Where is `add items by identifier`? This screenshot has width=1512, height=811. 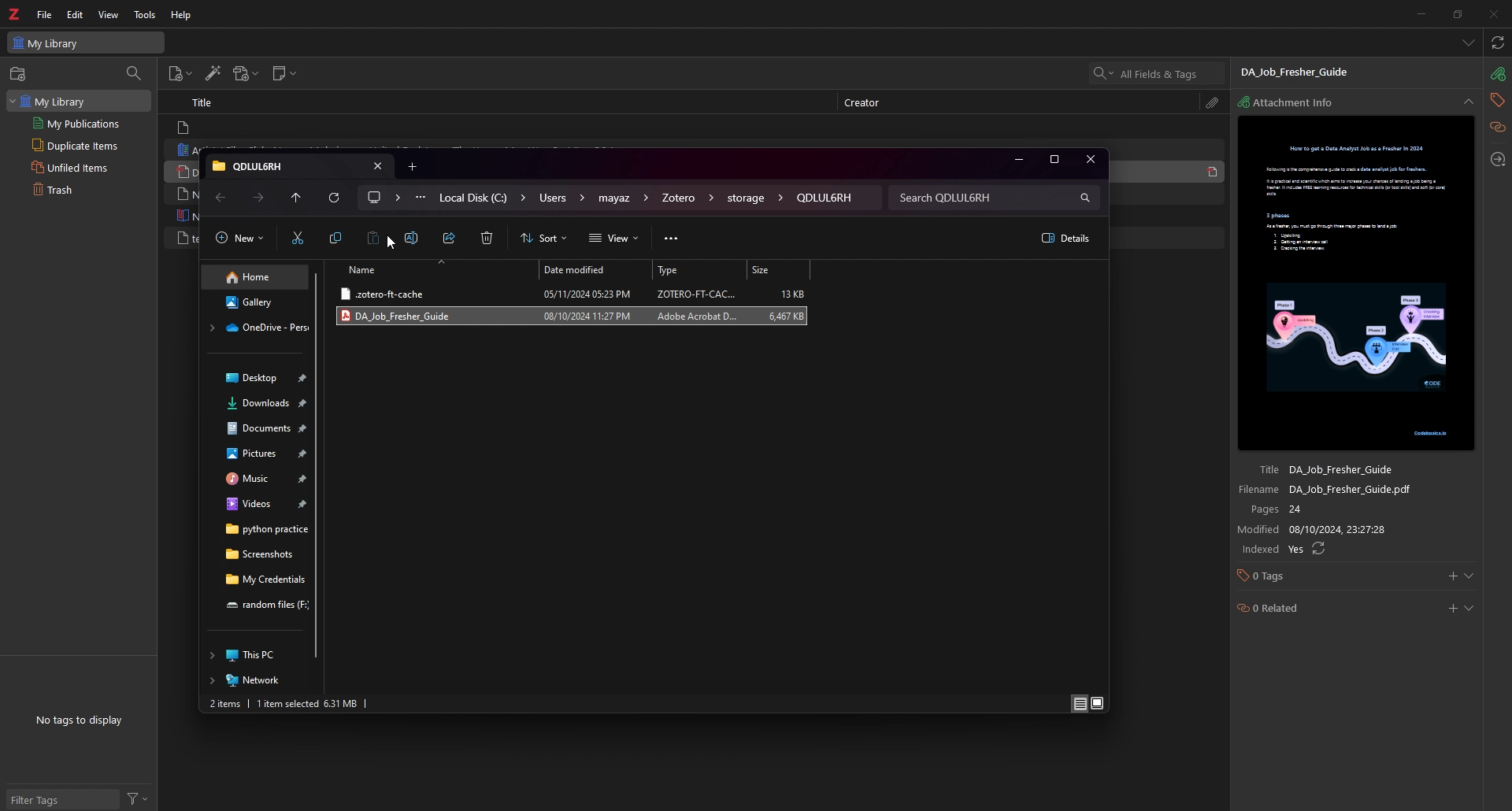
add items by identifier is located at coordinates (213, 75).